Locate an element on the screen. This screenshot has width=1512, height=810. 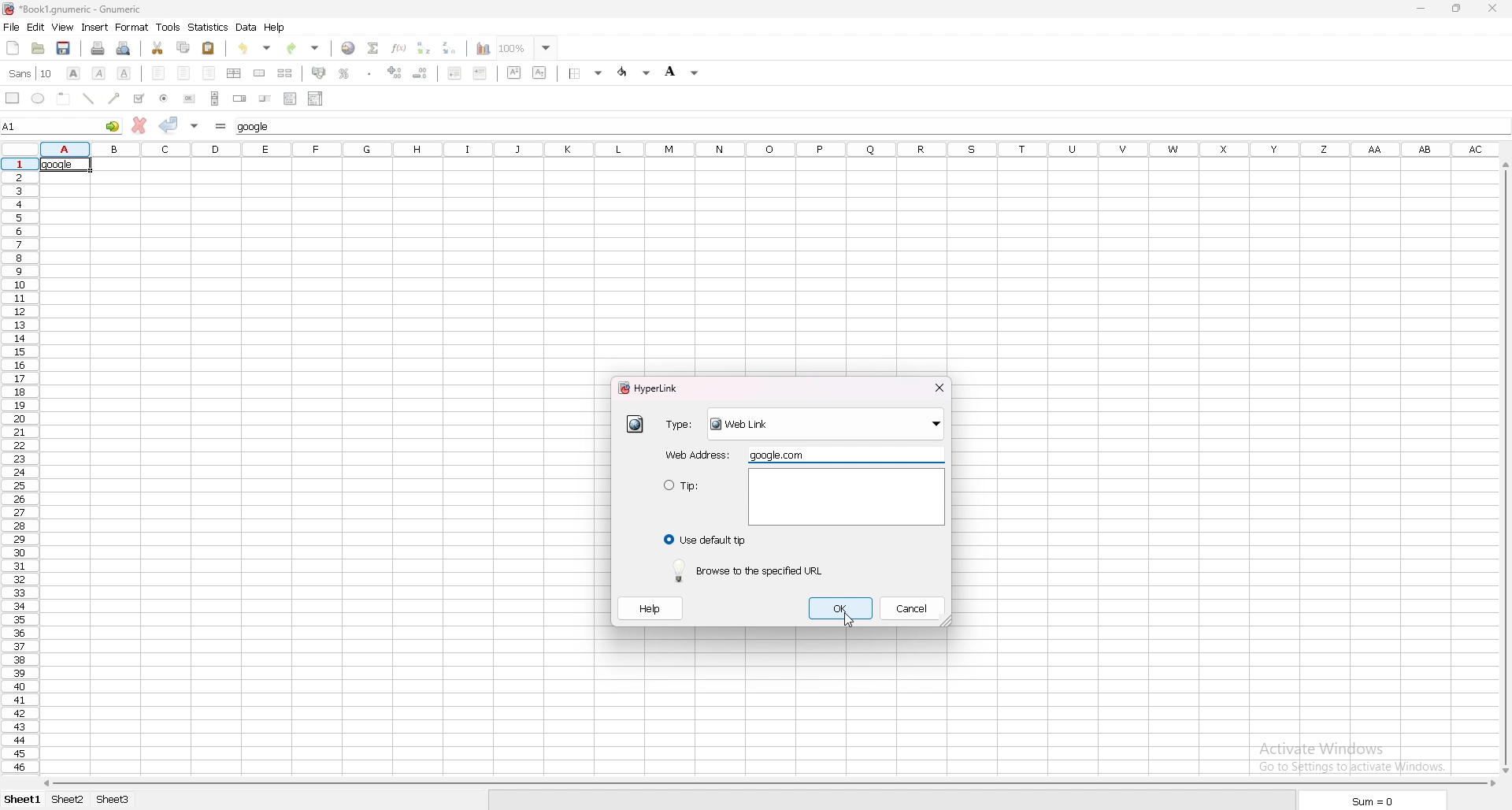
slider is located at coordinates (265, 98).